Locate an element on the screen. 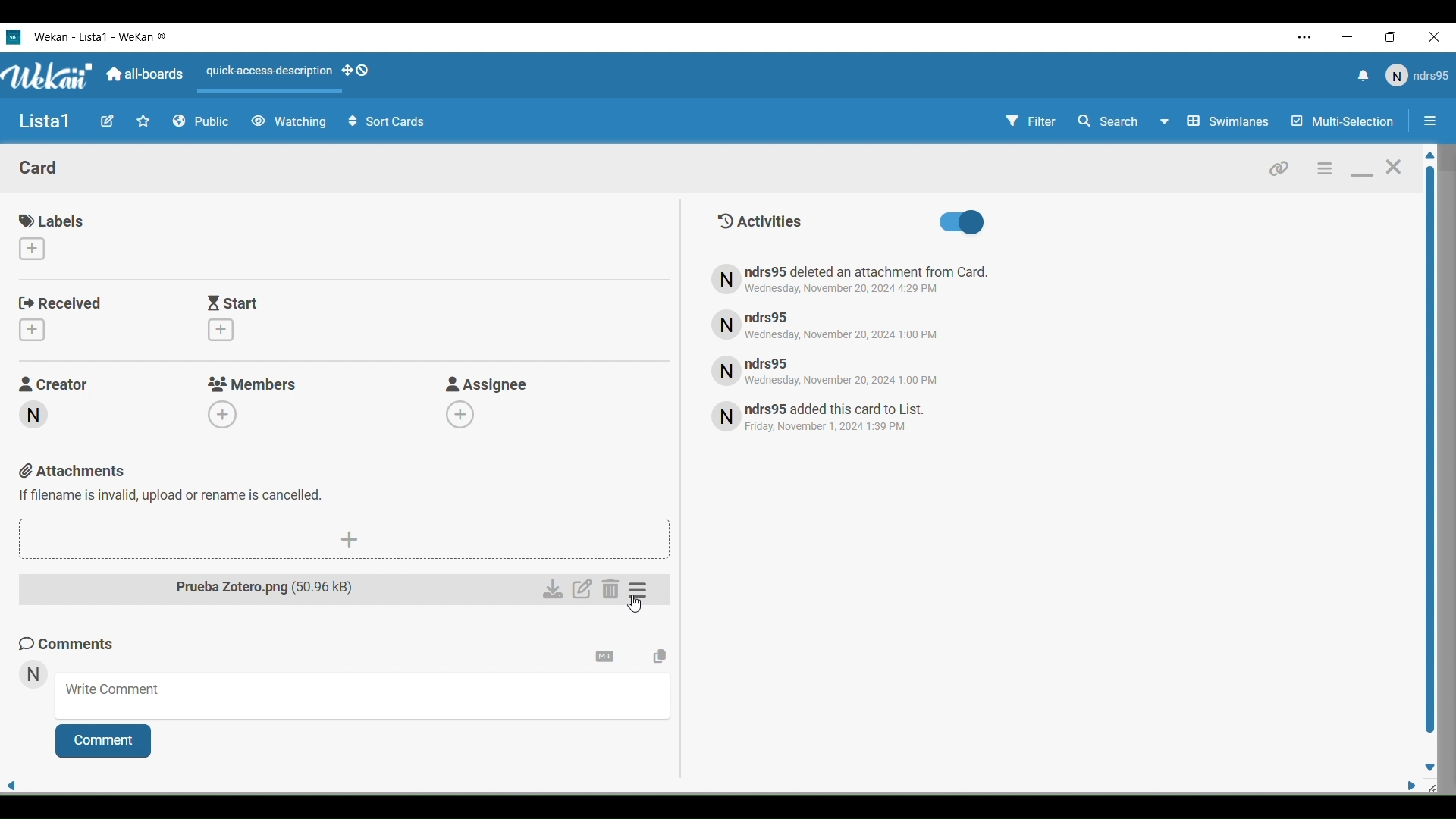  Minimize is located at coordinates (1362, 175).